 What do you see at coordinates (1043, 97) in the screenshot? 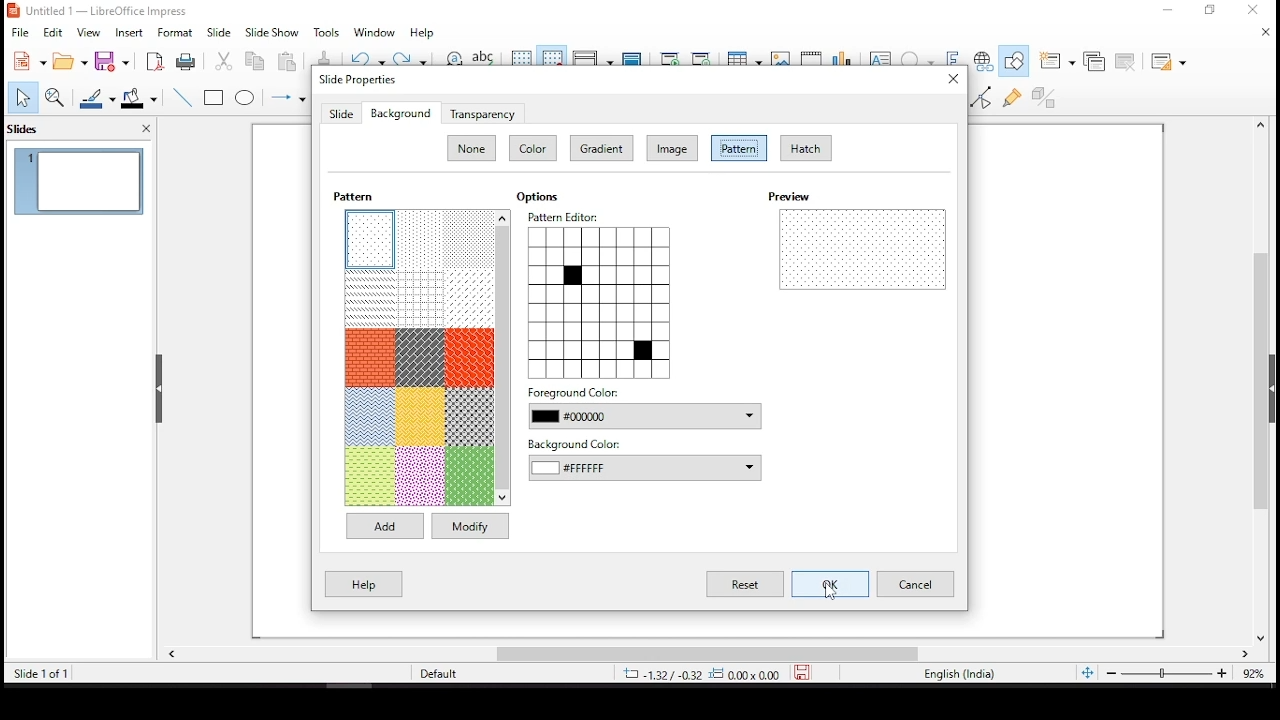
I see `toggle extrusion` at bounding box center [1043, 97].